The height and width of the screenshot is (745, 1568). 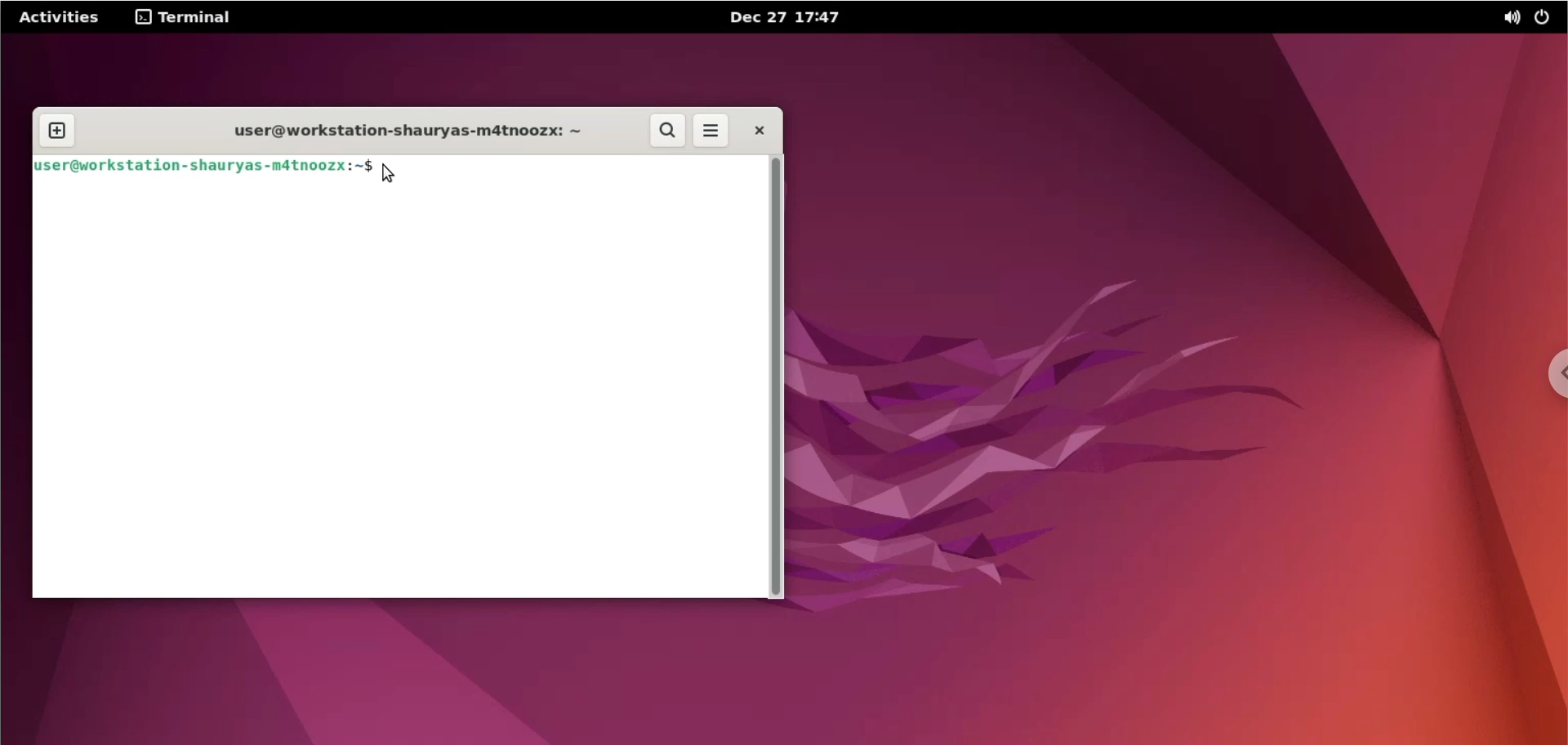 I want to click on search button, so click(x=670, y=132).